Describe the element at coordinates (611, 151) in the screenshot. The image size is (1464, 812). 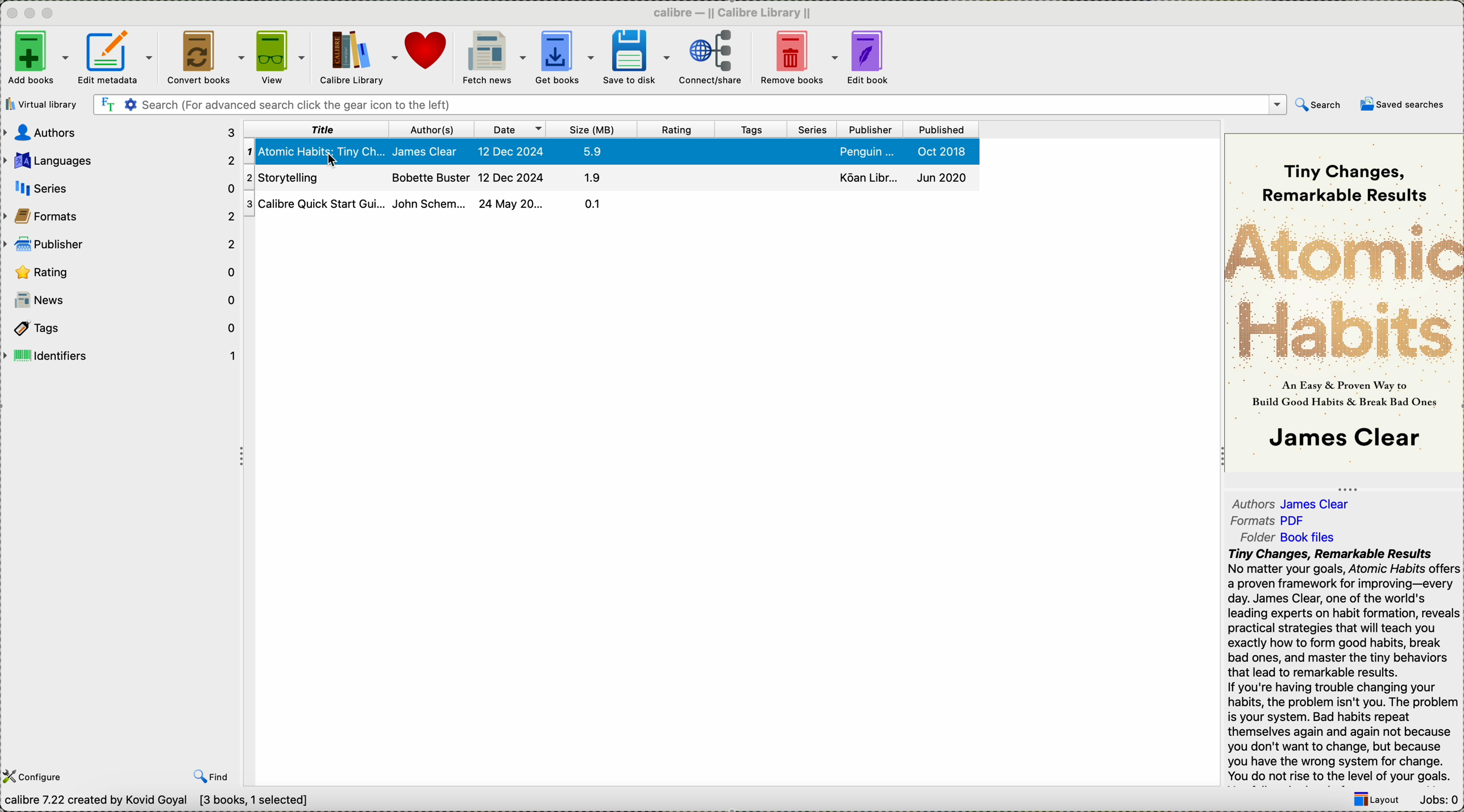
I see `click on first book` at that location.